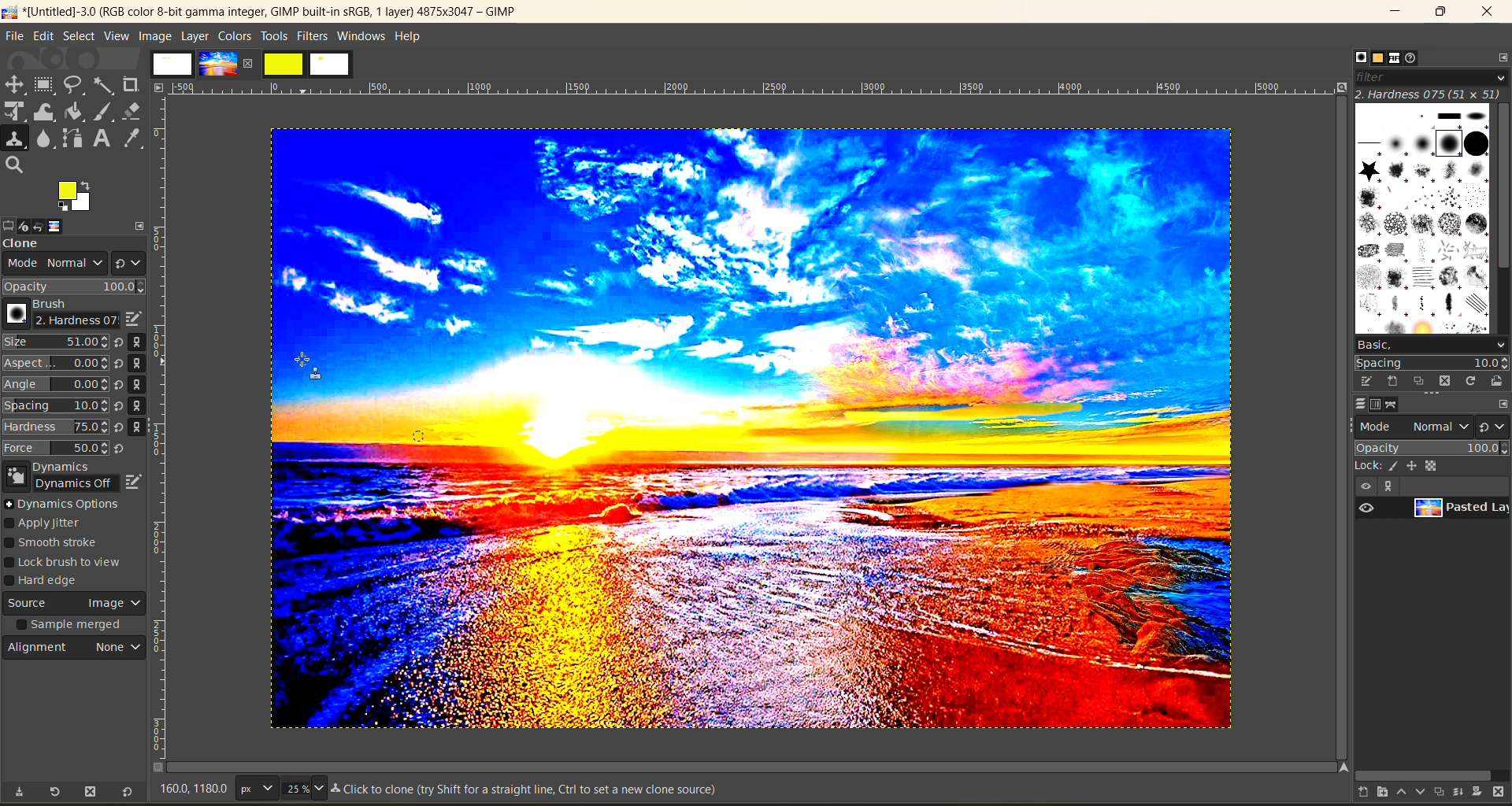  I want to click on layer, so click(195, 35).